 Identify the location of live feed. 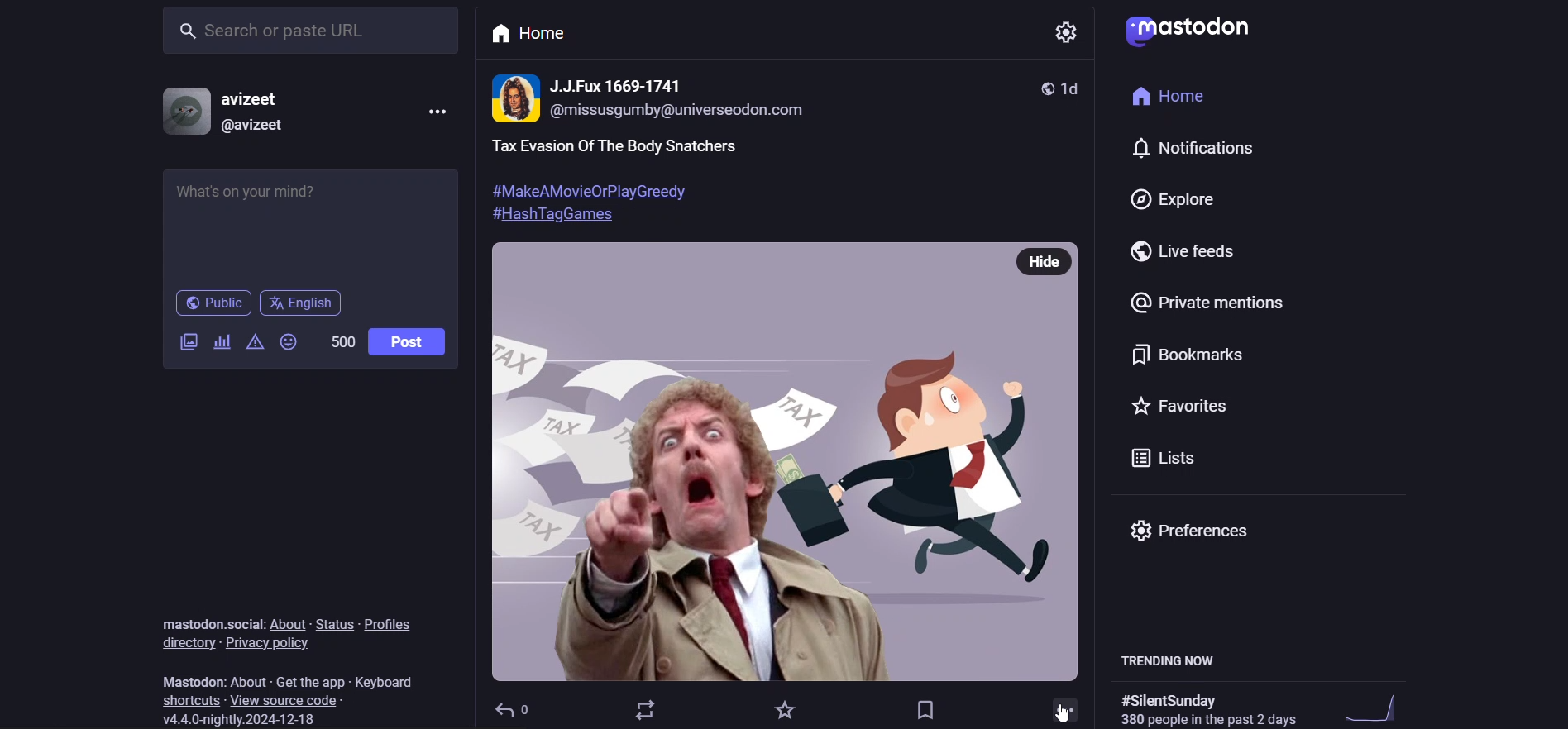
(1183, 250).